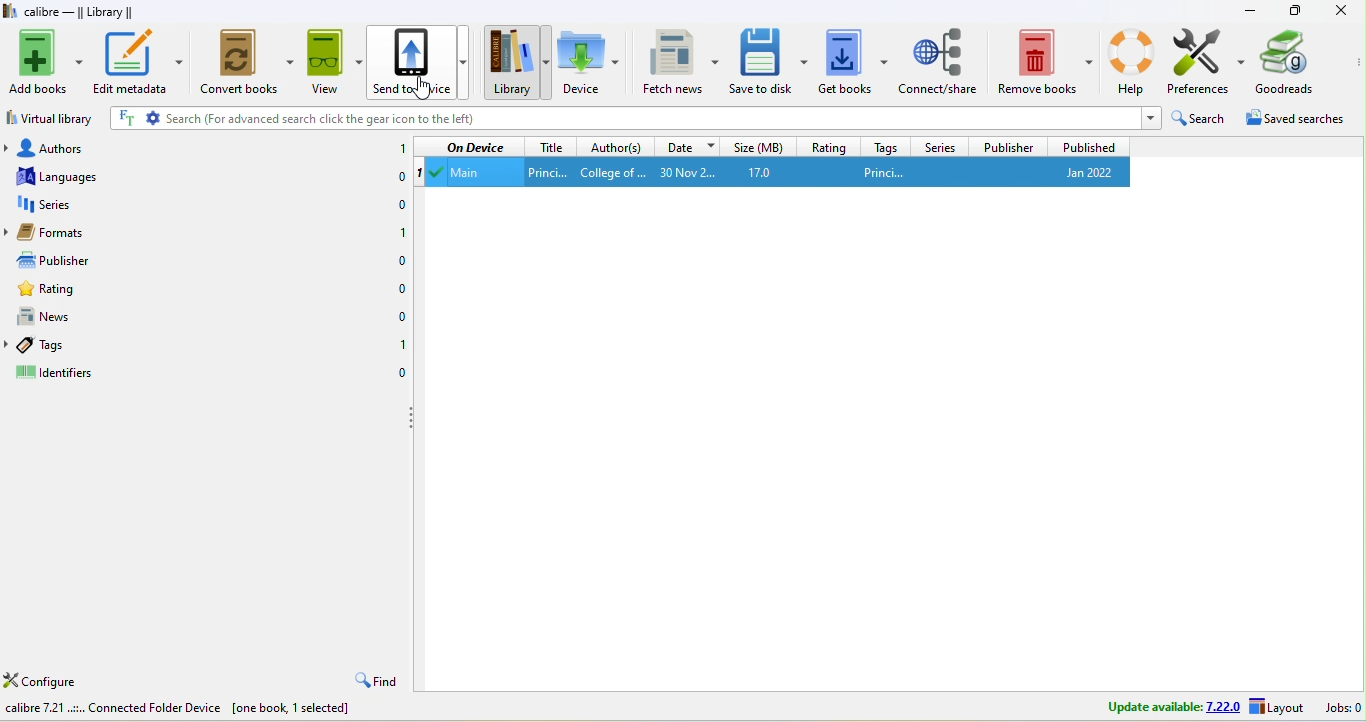  I want to click on 1, so click(392, 235).